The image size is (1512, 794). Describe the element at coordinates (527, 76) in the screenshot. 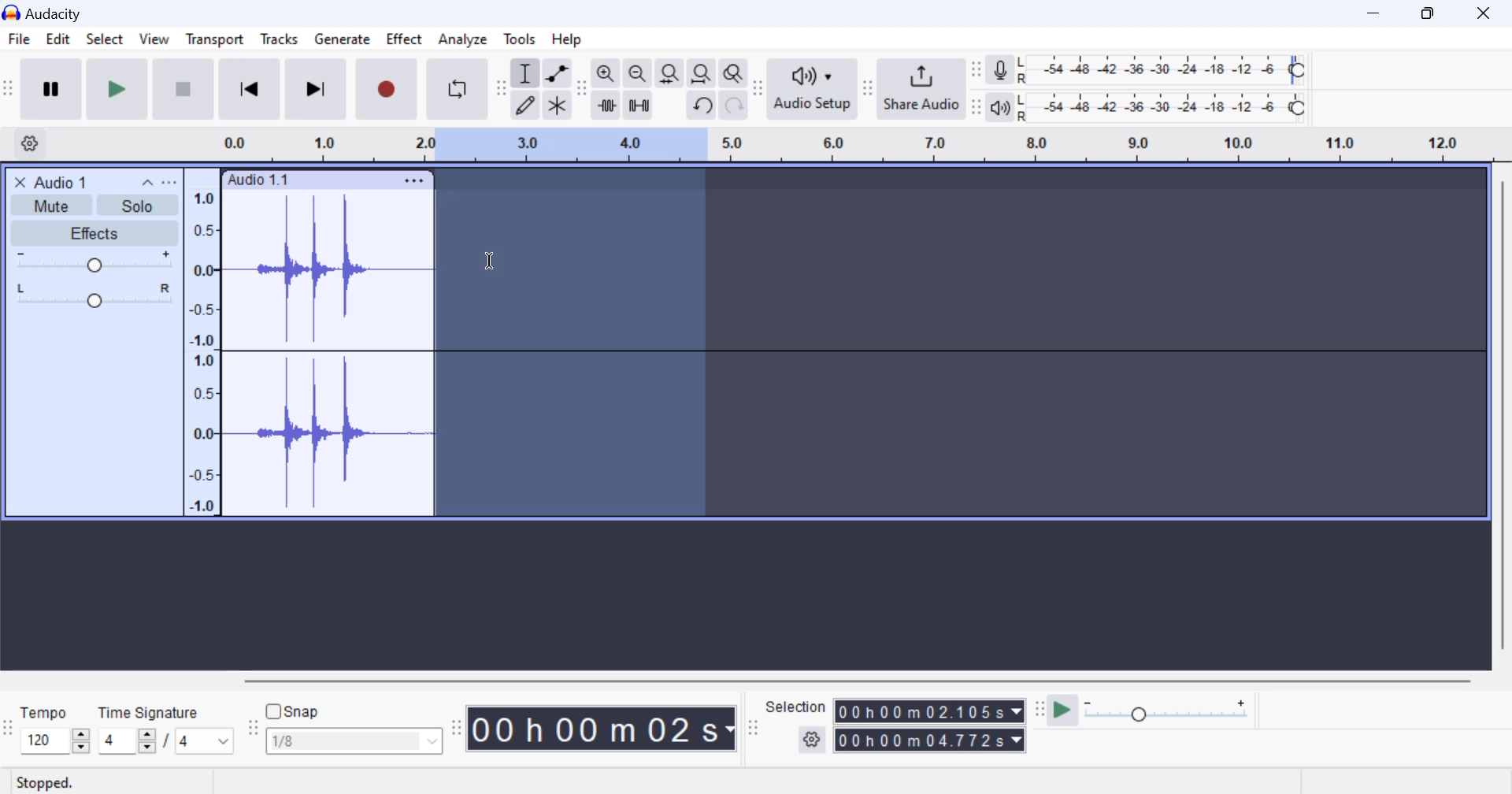

I see `selection tool` at that location.